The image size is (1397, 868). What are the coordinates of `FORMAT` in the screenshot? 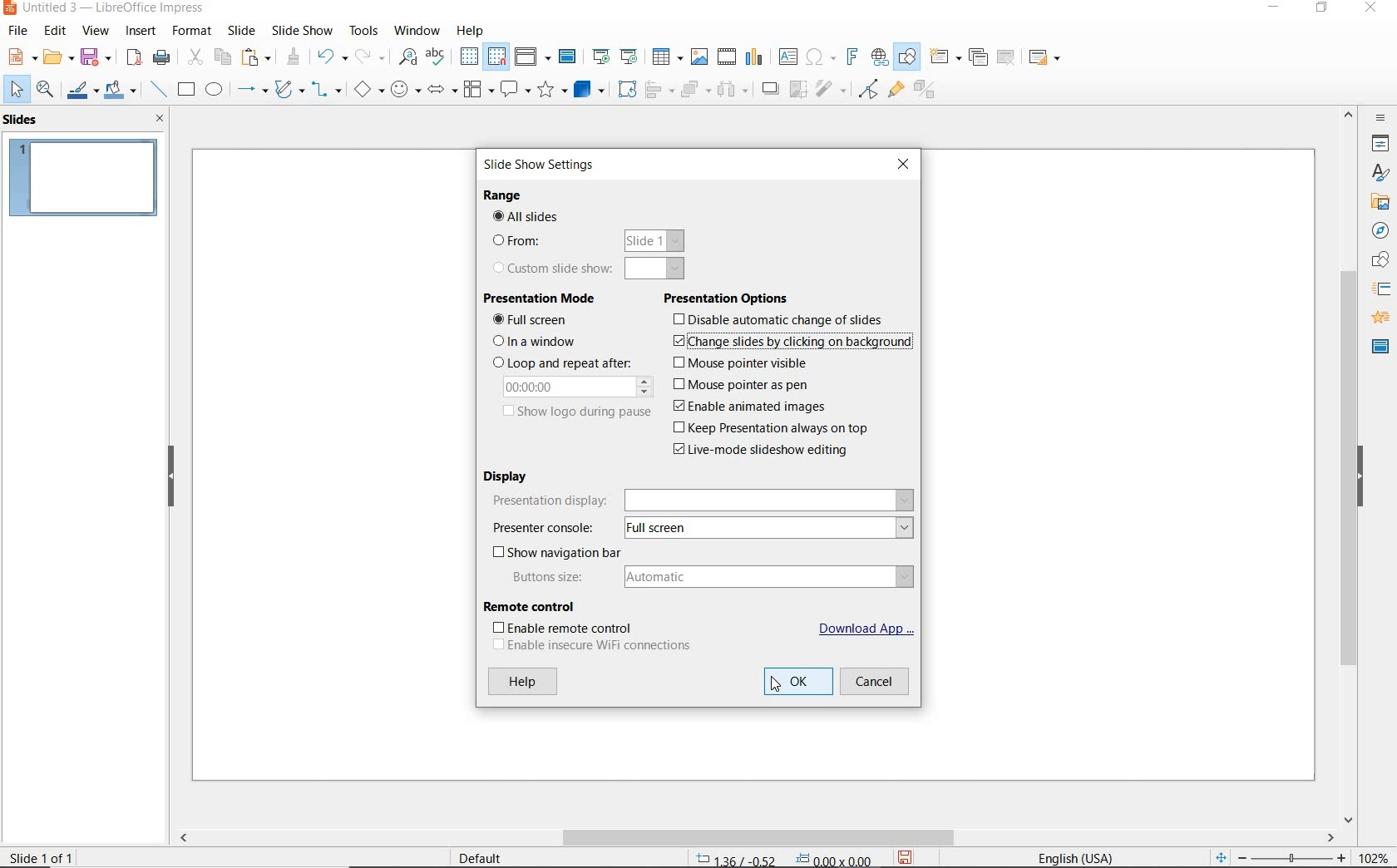 It's located at (193, 31).